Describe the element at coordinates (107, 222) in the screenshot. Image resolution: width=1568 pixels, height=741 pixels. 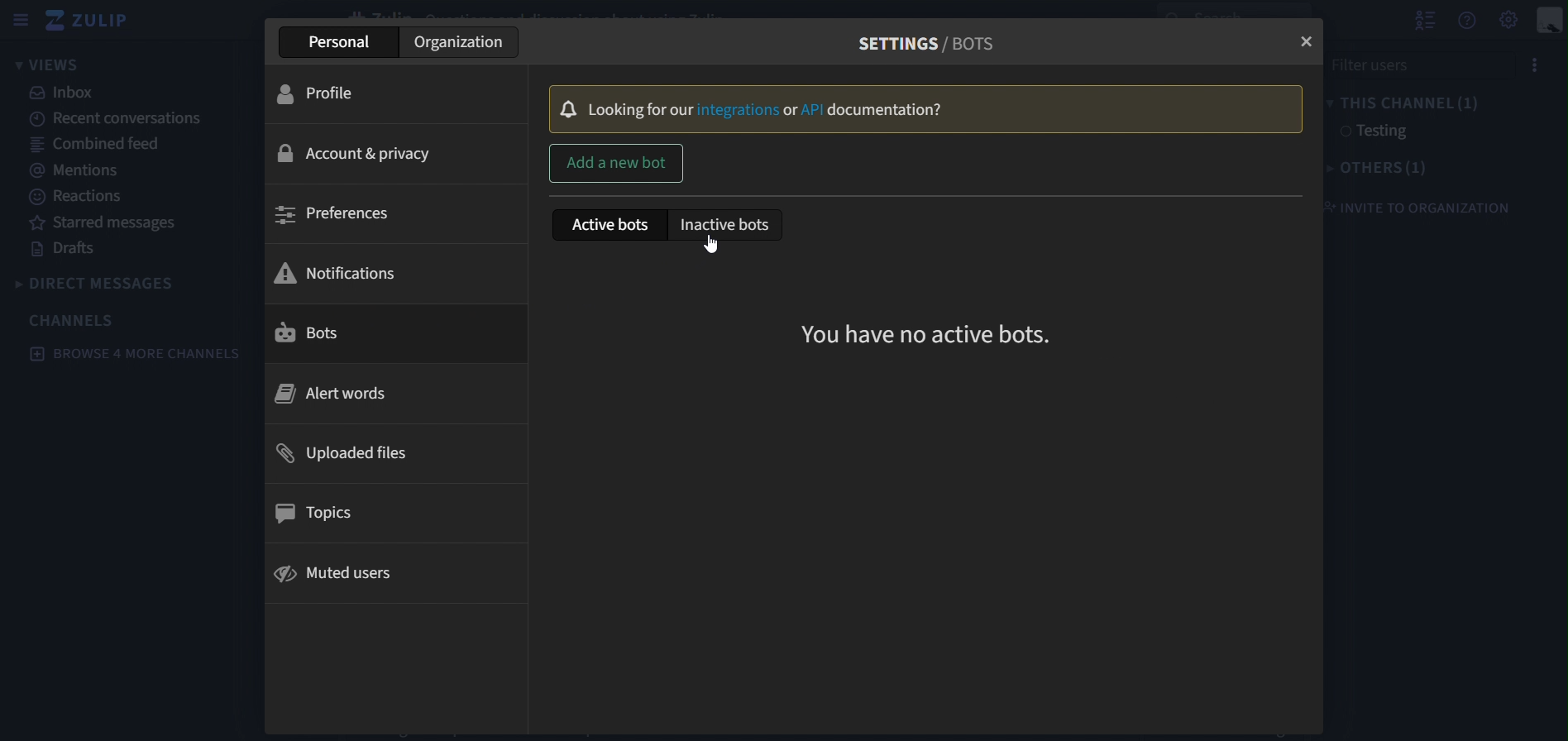
I see `starred messages` at that location.